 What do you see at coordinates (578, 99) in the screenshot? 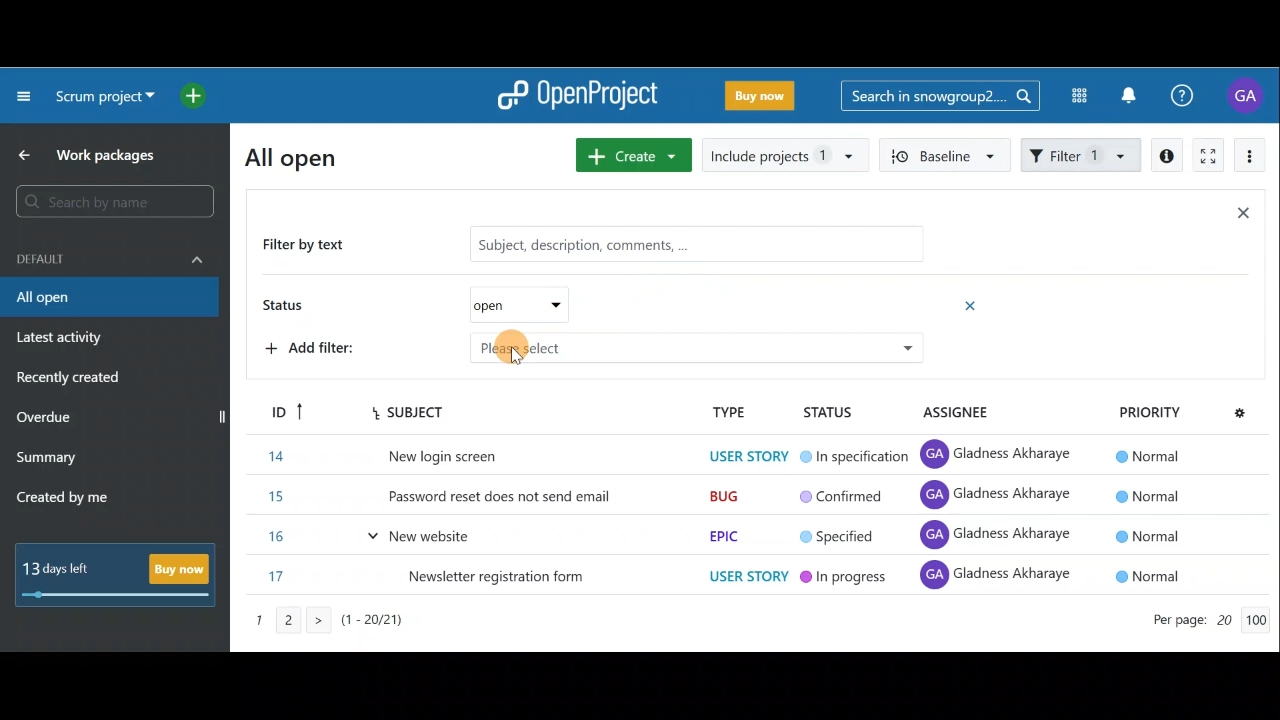
I see `OpenProject` at bounding box center [578, 99].